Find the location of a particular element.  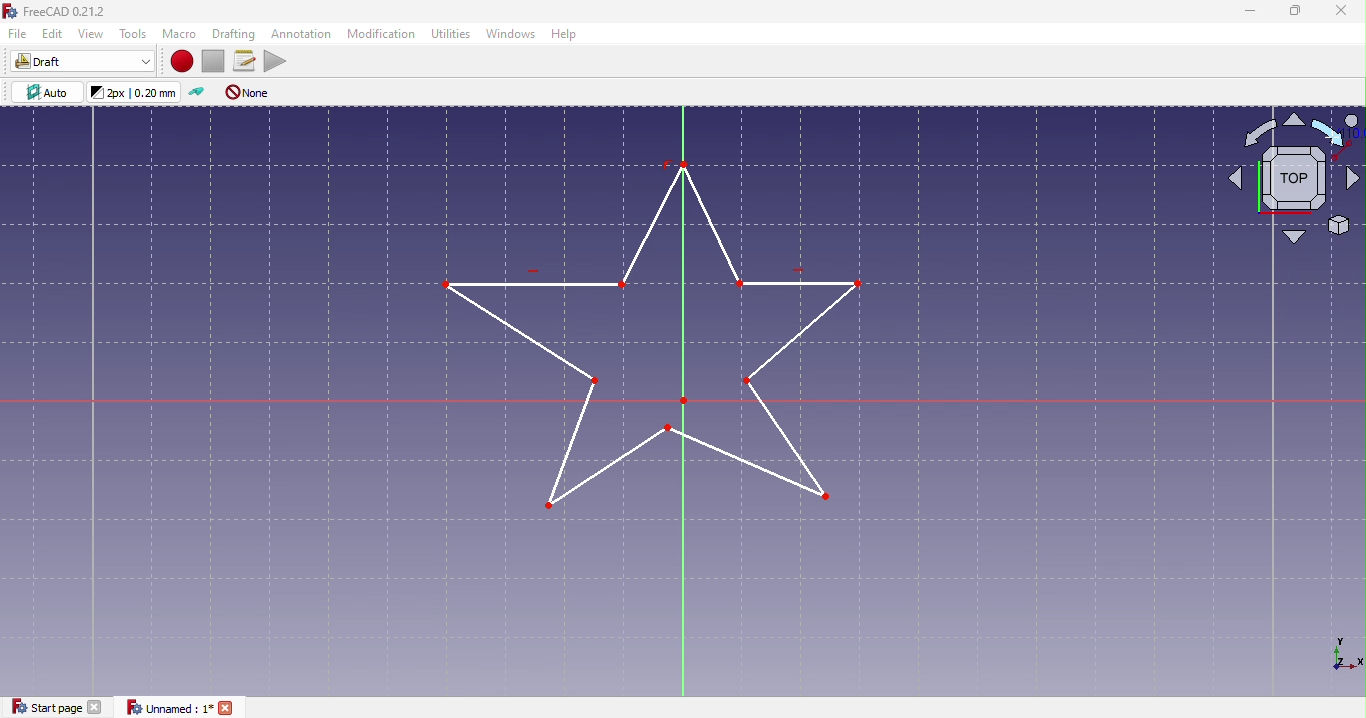

Execute macro is located at coordinates (275, 60).